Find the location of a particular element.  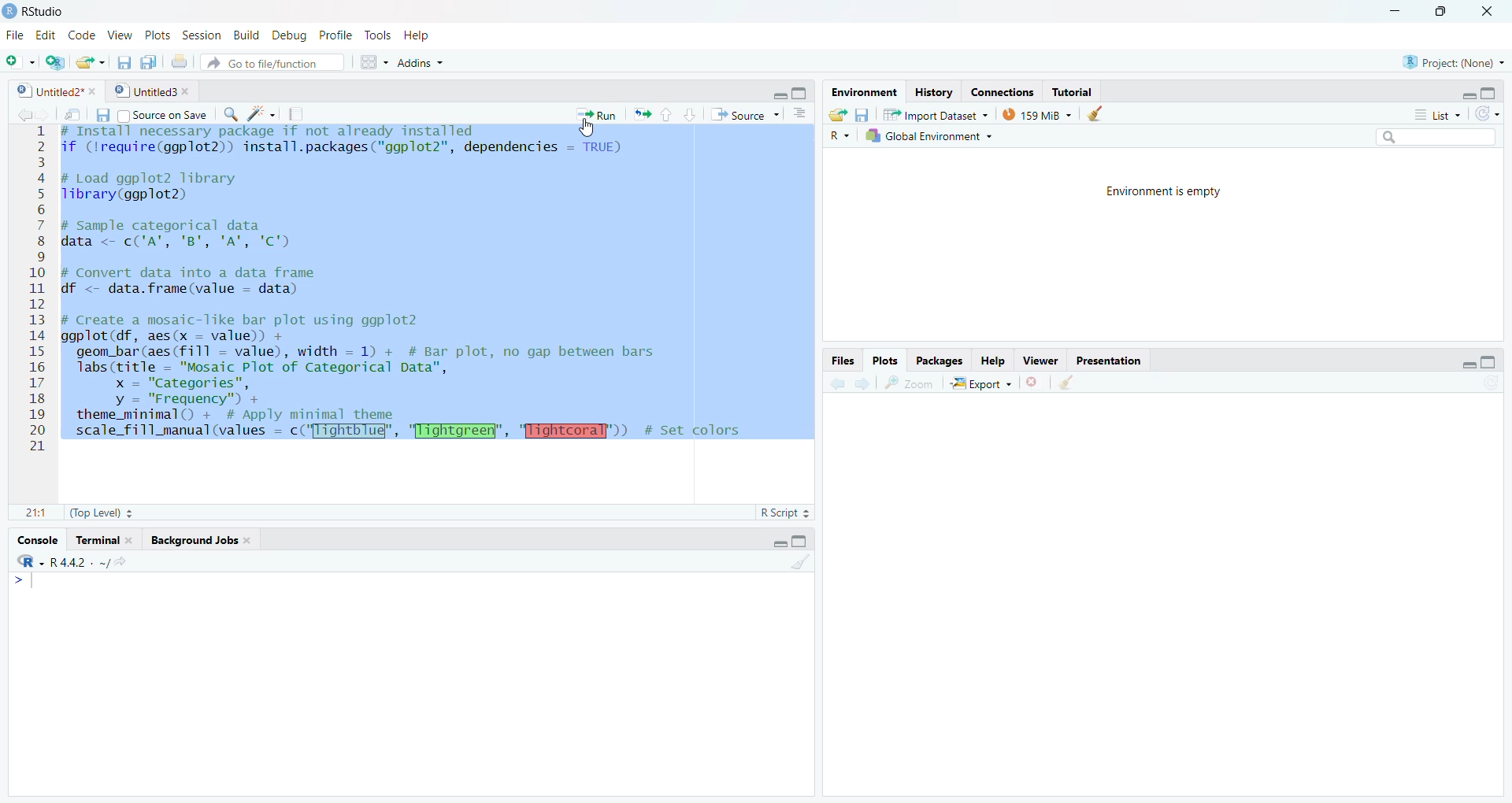

addins is located at coordinates (421, 62).